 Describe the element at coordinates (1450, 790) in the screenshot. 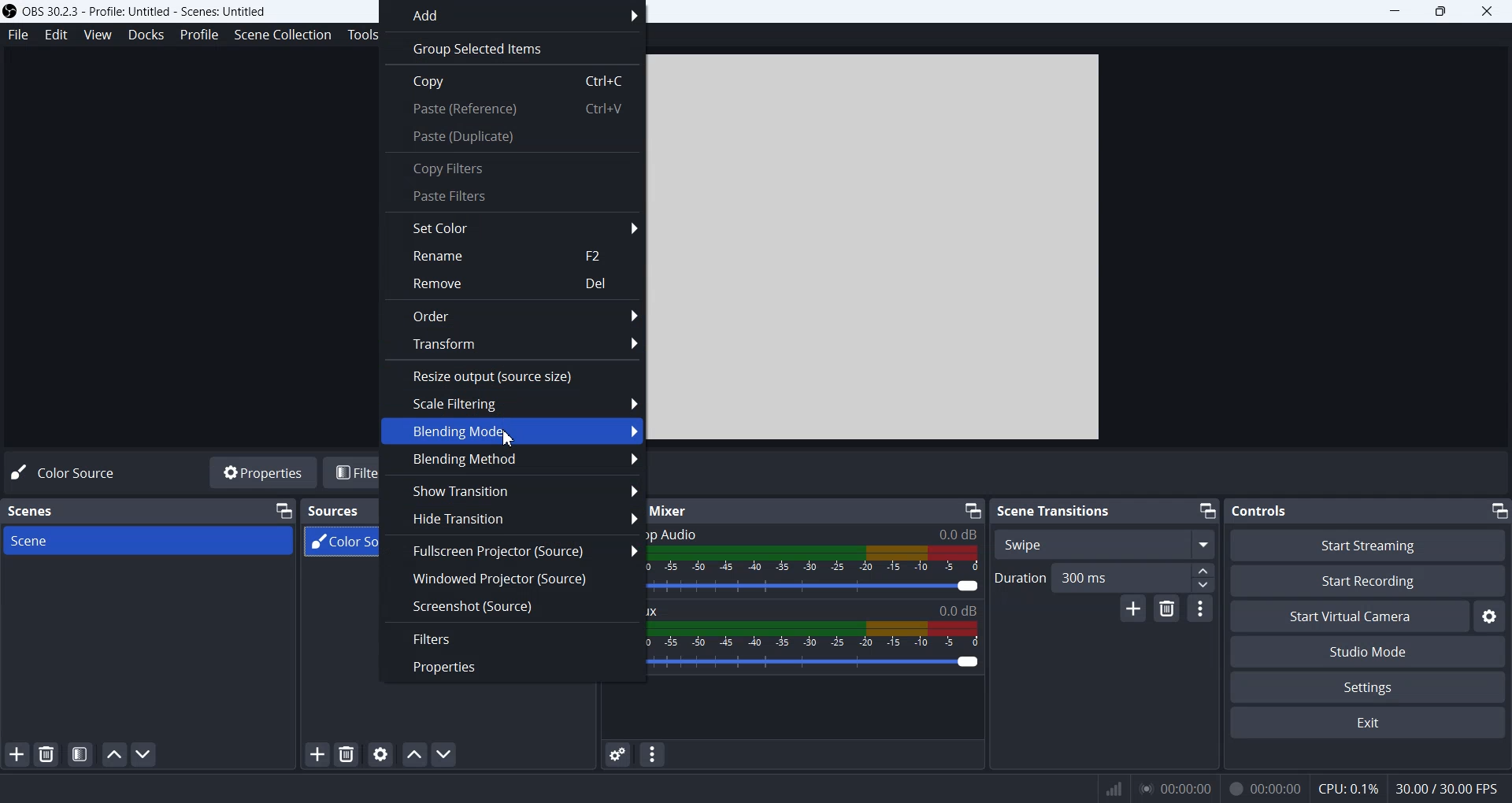

I see `30.00 / 30.00 FPS` at that location.